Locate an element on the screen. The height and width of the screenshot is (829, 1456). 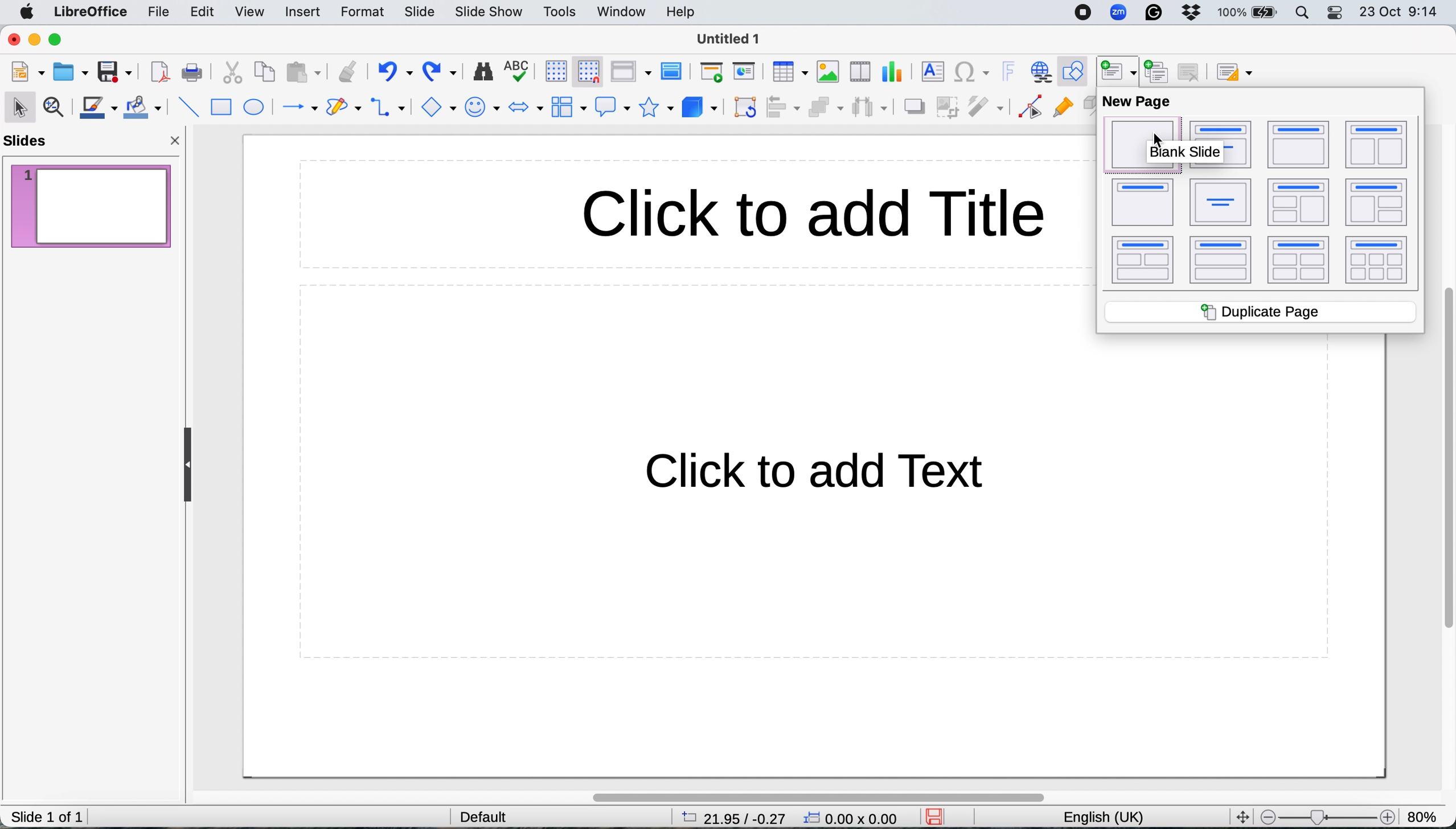
insert hyperlink is located at coordinates (1041, 72).